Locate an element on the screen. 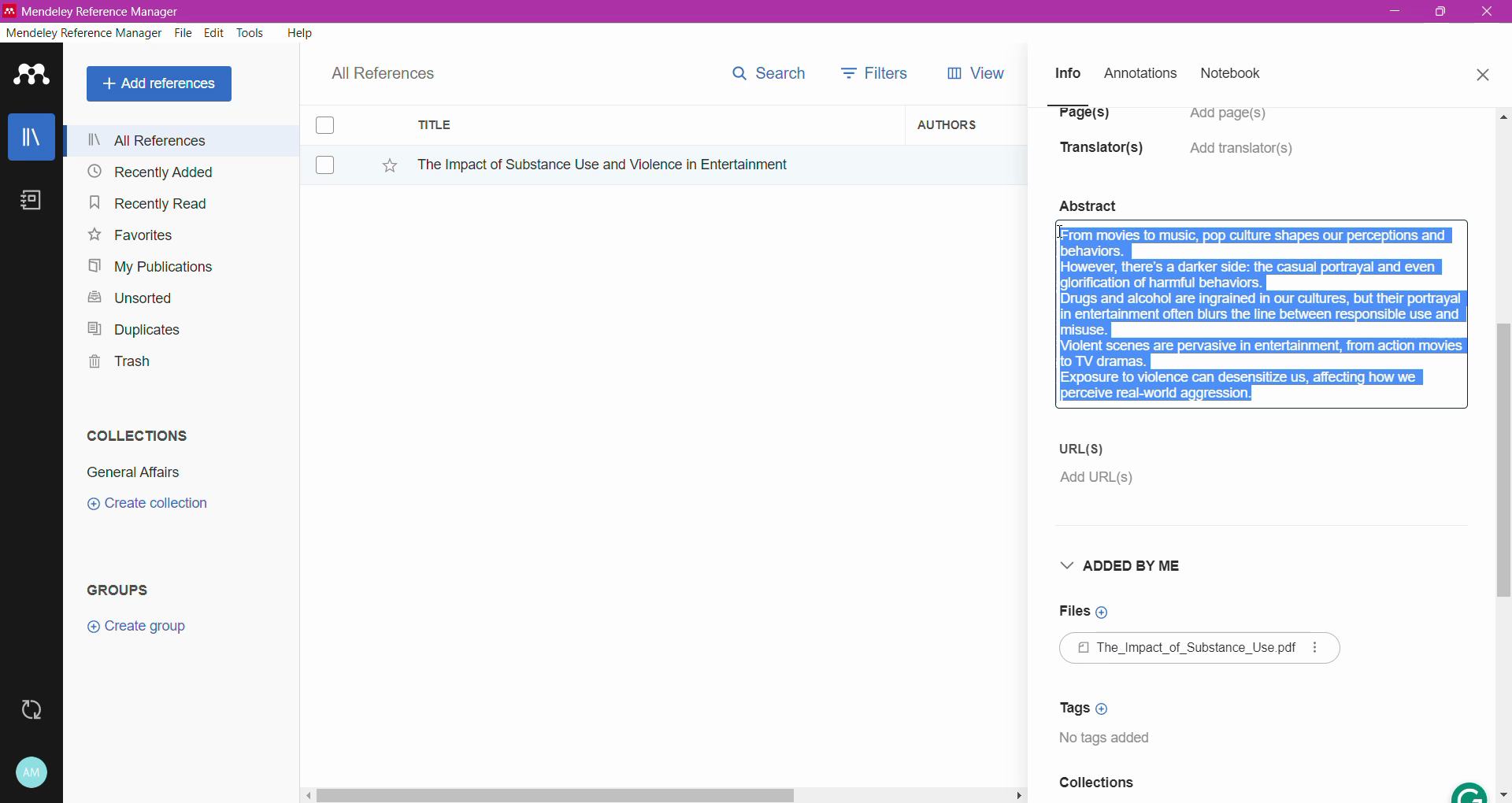 The image size is (1512, 803). Application Name is located at coordinates (94, 11).